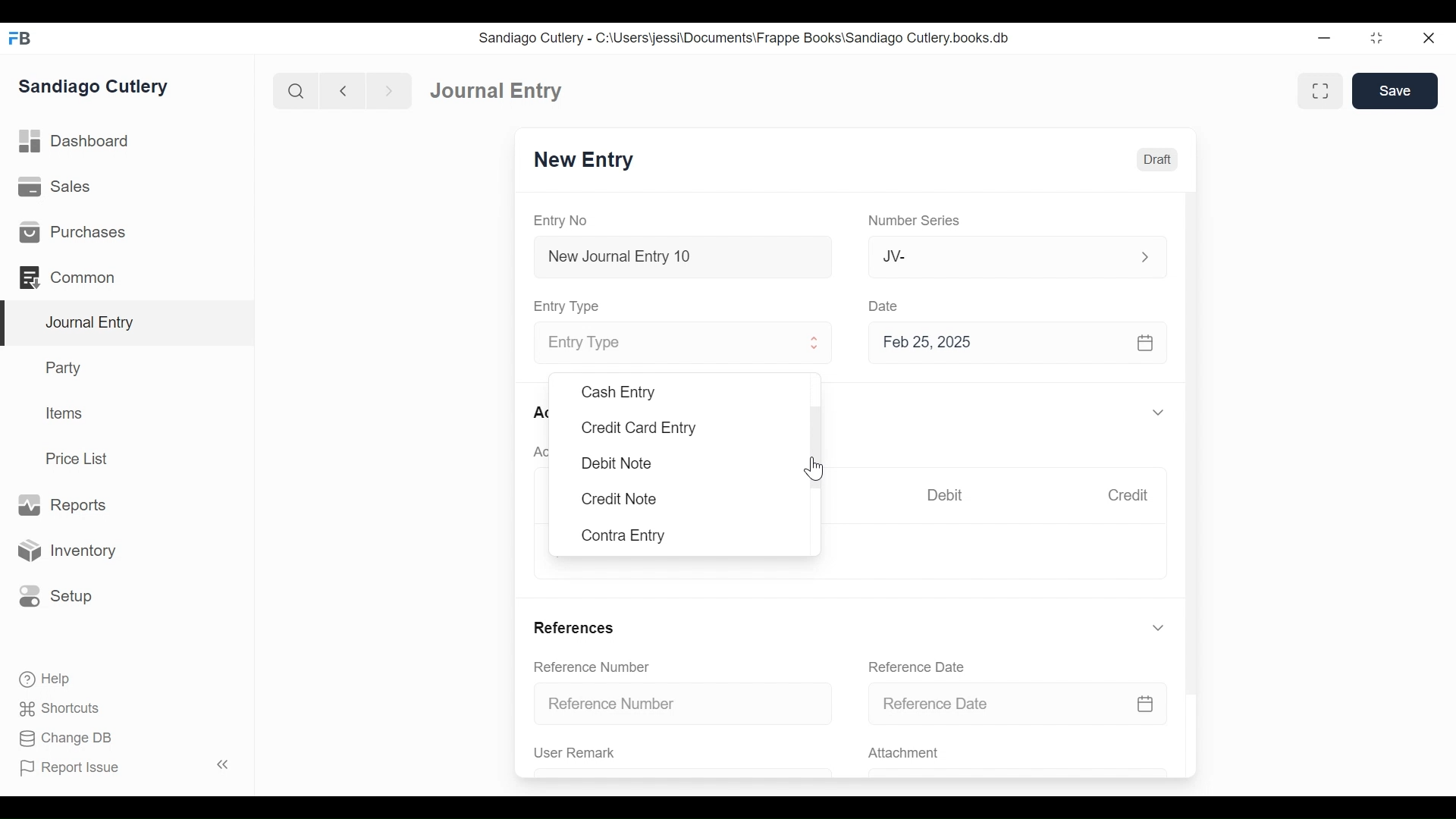  I want to click on Dashboard, so click(80, 143).